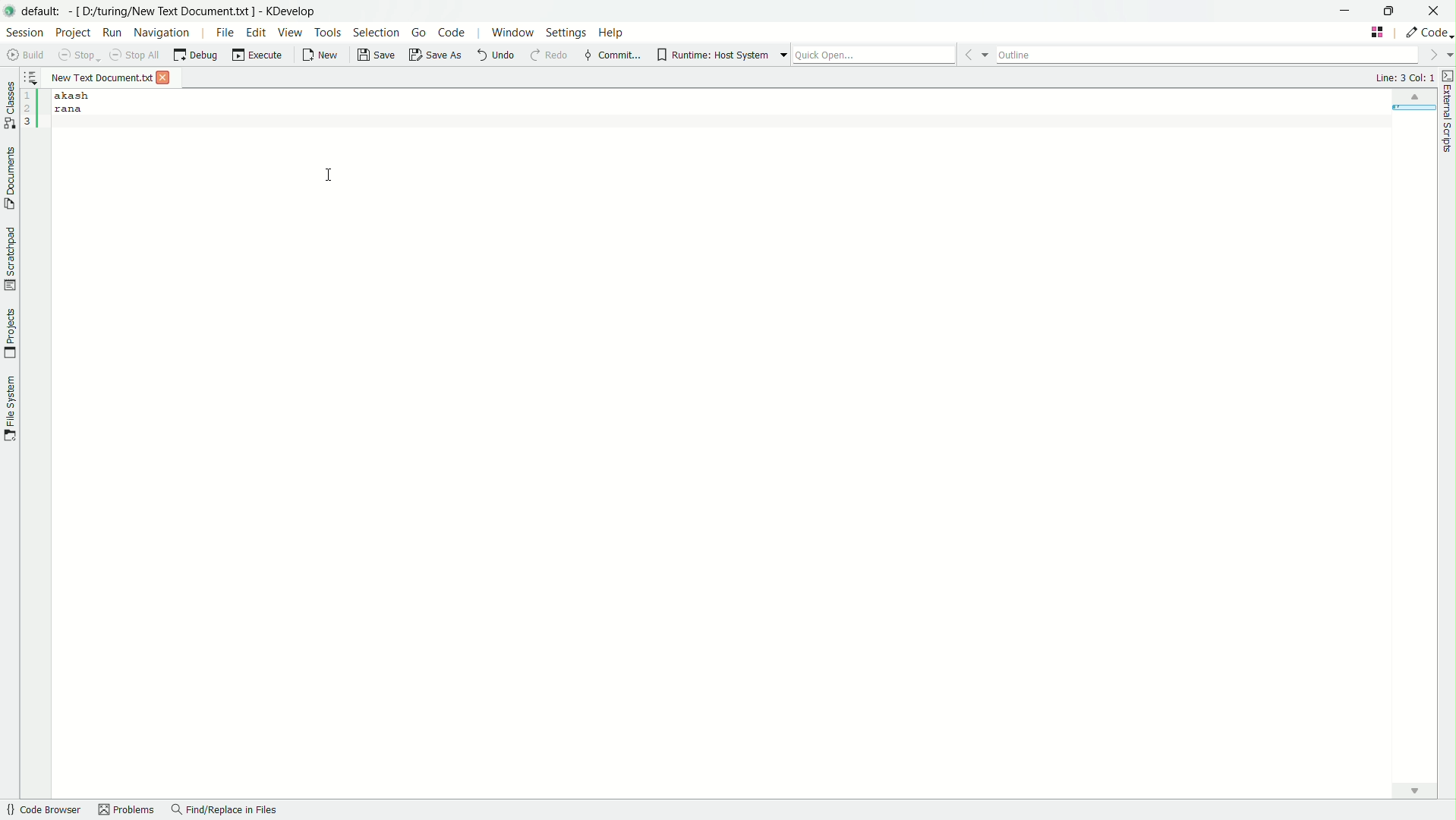 This screenshot has height=820, width=1456. What do you see at coordinates (419, 32) in the screenshot?
I see `go menu` at bounding box center [419, 32].